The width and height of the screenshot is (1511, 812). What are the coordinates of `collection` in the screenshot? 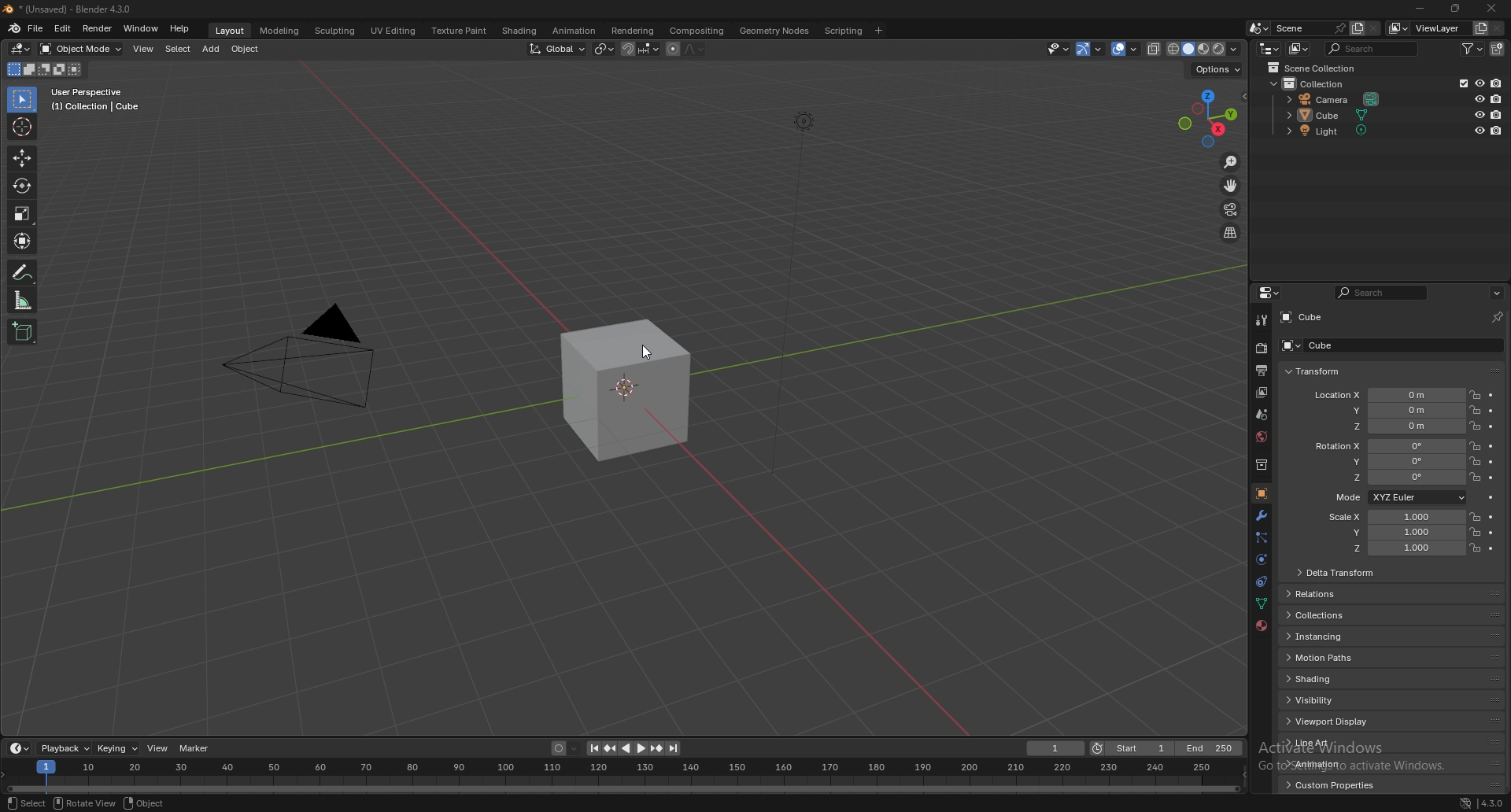 It's located at (1260, 465).